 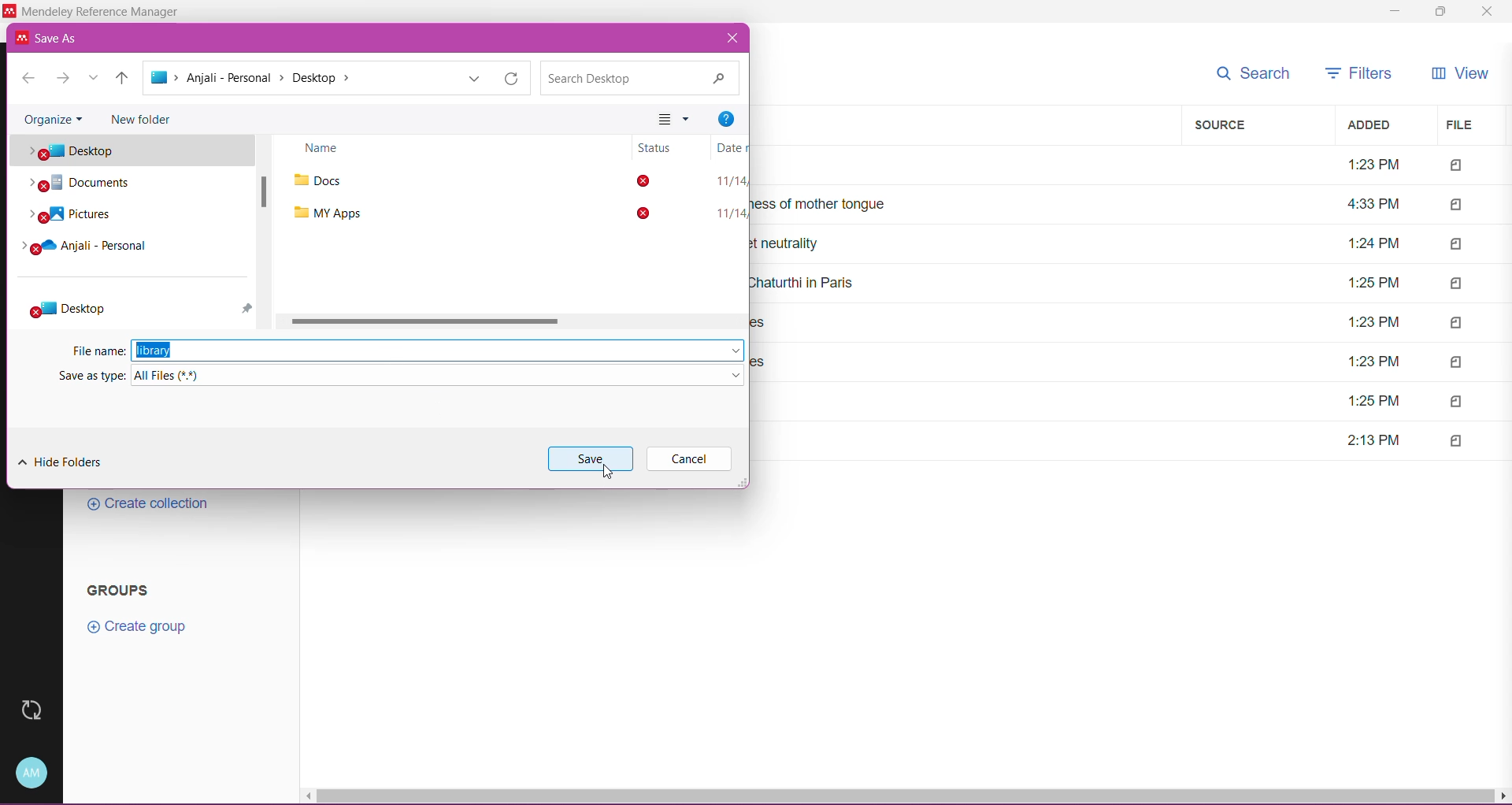 What do you see at coordinates (265, 198) in the screenshot?
I see `Vertical Scroll` at bounding box center [265, 198].